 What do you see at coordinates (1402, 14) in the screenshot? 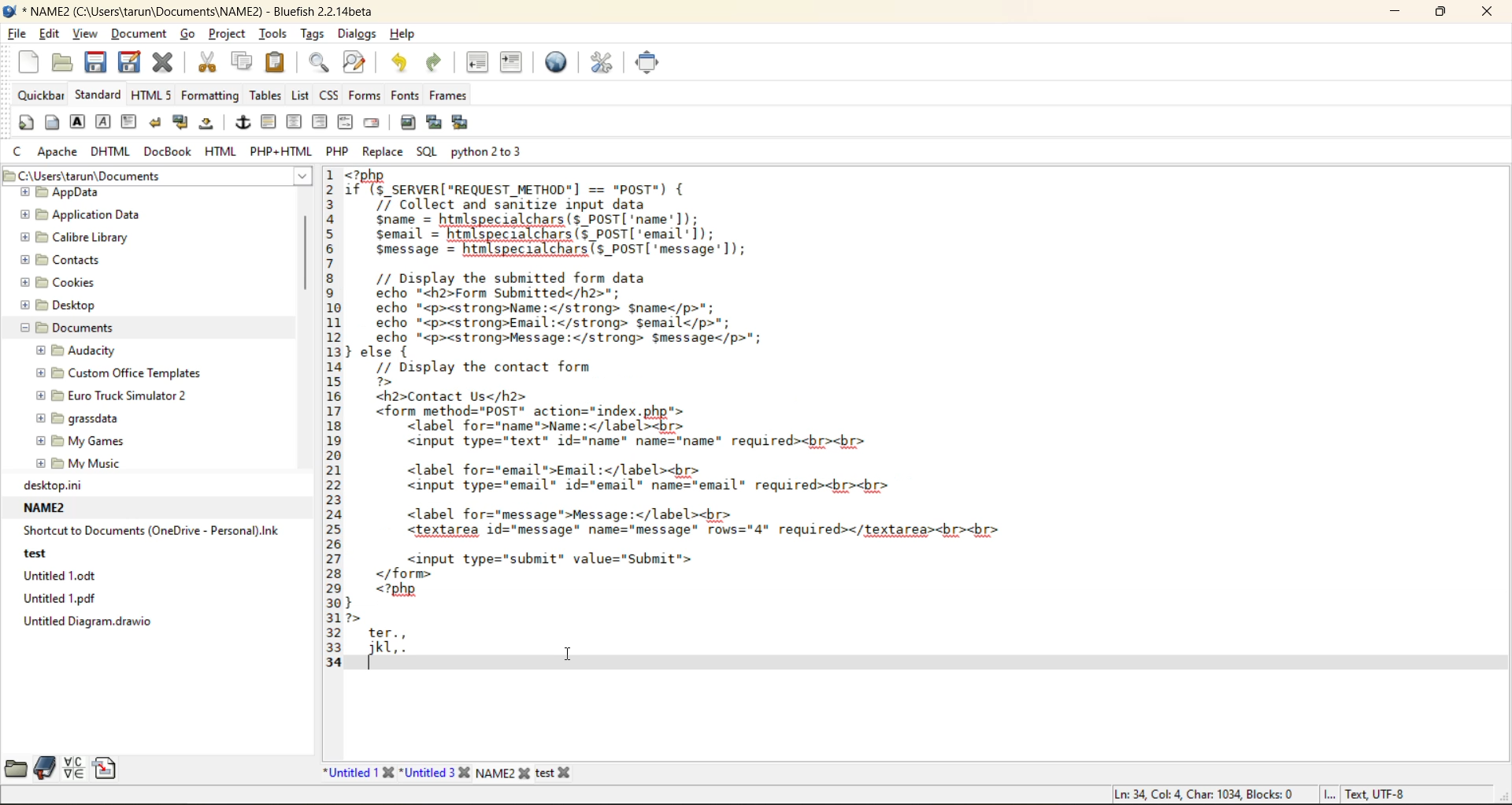
I see `minimize` at bounding box center [1402, 14].